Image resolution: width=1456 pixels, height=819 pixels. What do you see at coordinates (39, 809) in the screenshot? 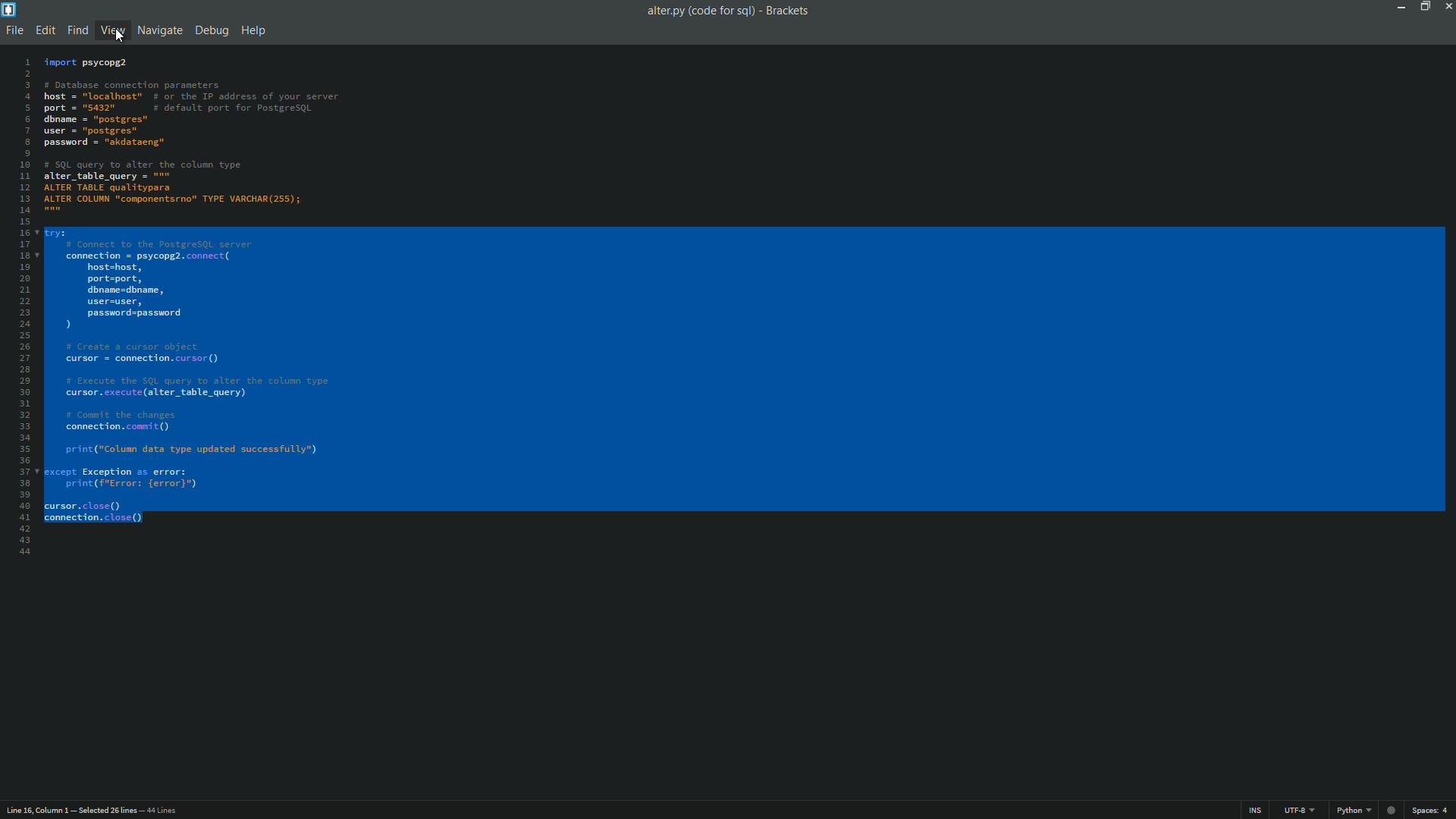
I see `cursor position` at bounding box center [39, 809].